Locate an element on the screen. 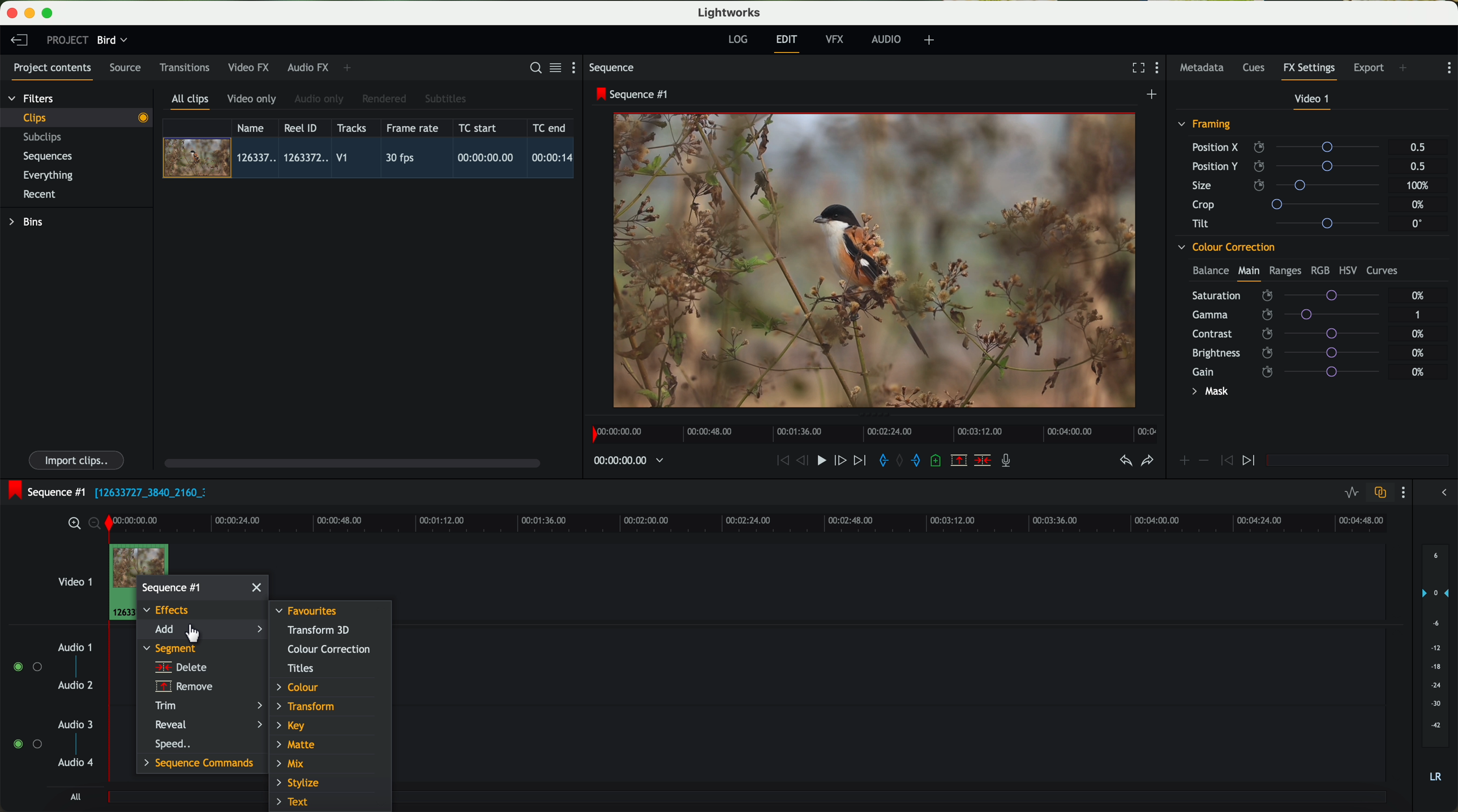 This screenshot has width=1458, height=812. colour correction is located at coordinates (1225, 247).